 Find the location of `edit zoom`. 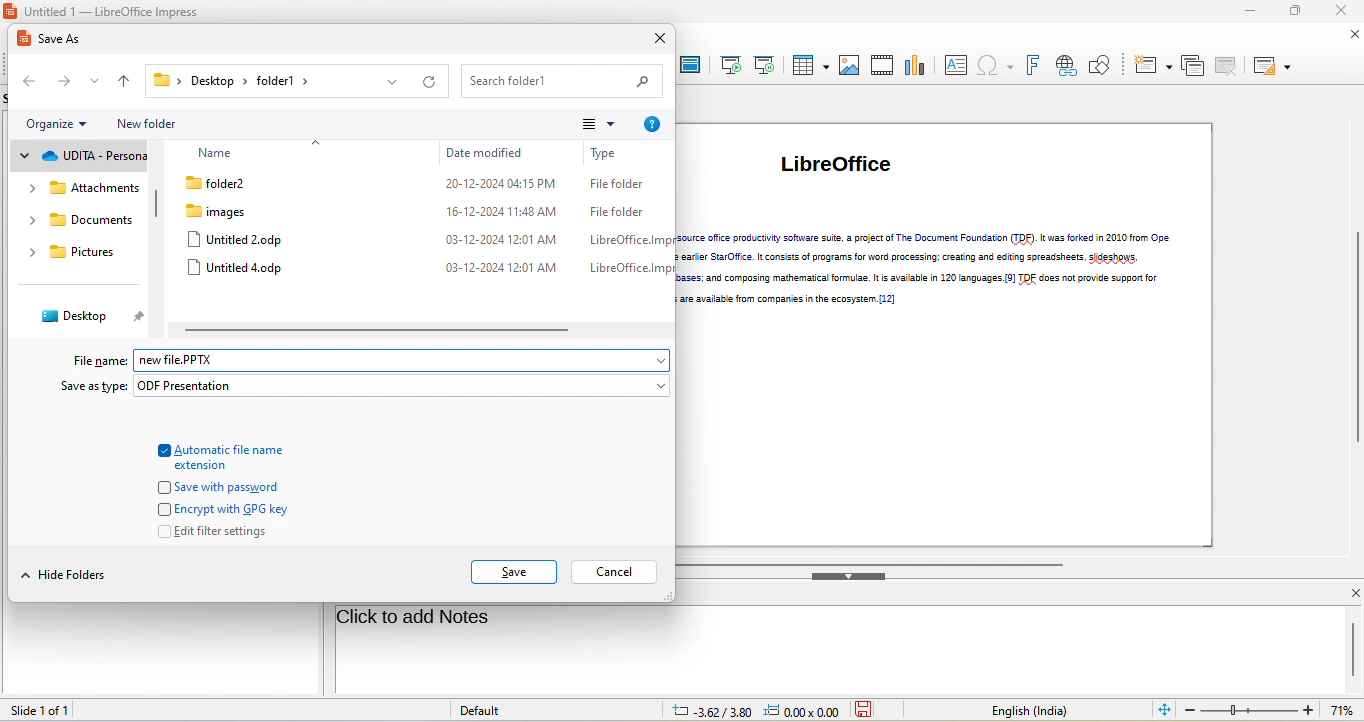

edit zoom is located at coordinates (1249, 711).